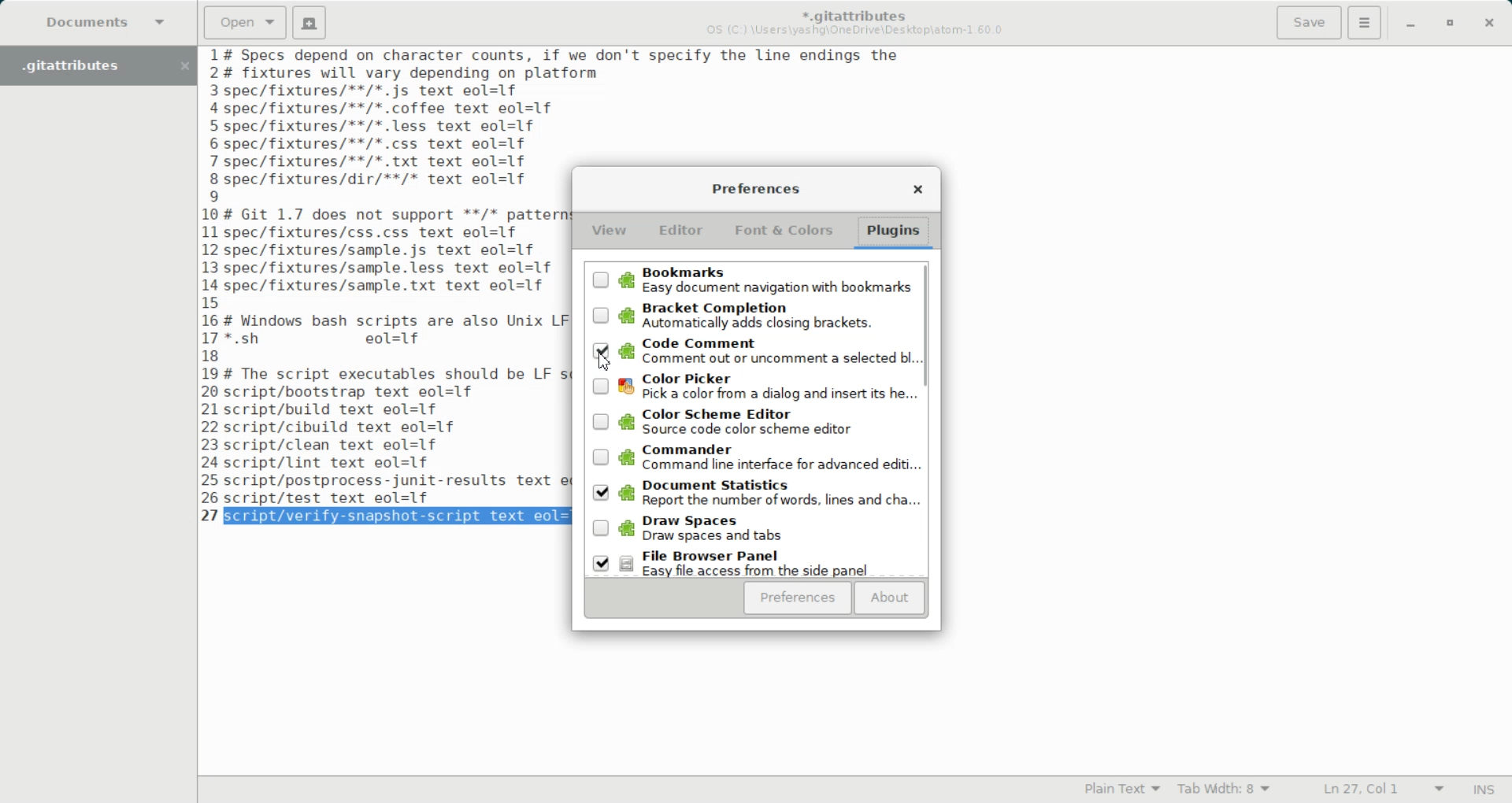 Image resolution: width=1512 pixels, height=803 pixels. Describe the element at coordinates (606, 365) in the screenshot. I see `cursor` at that location.